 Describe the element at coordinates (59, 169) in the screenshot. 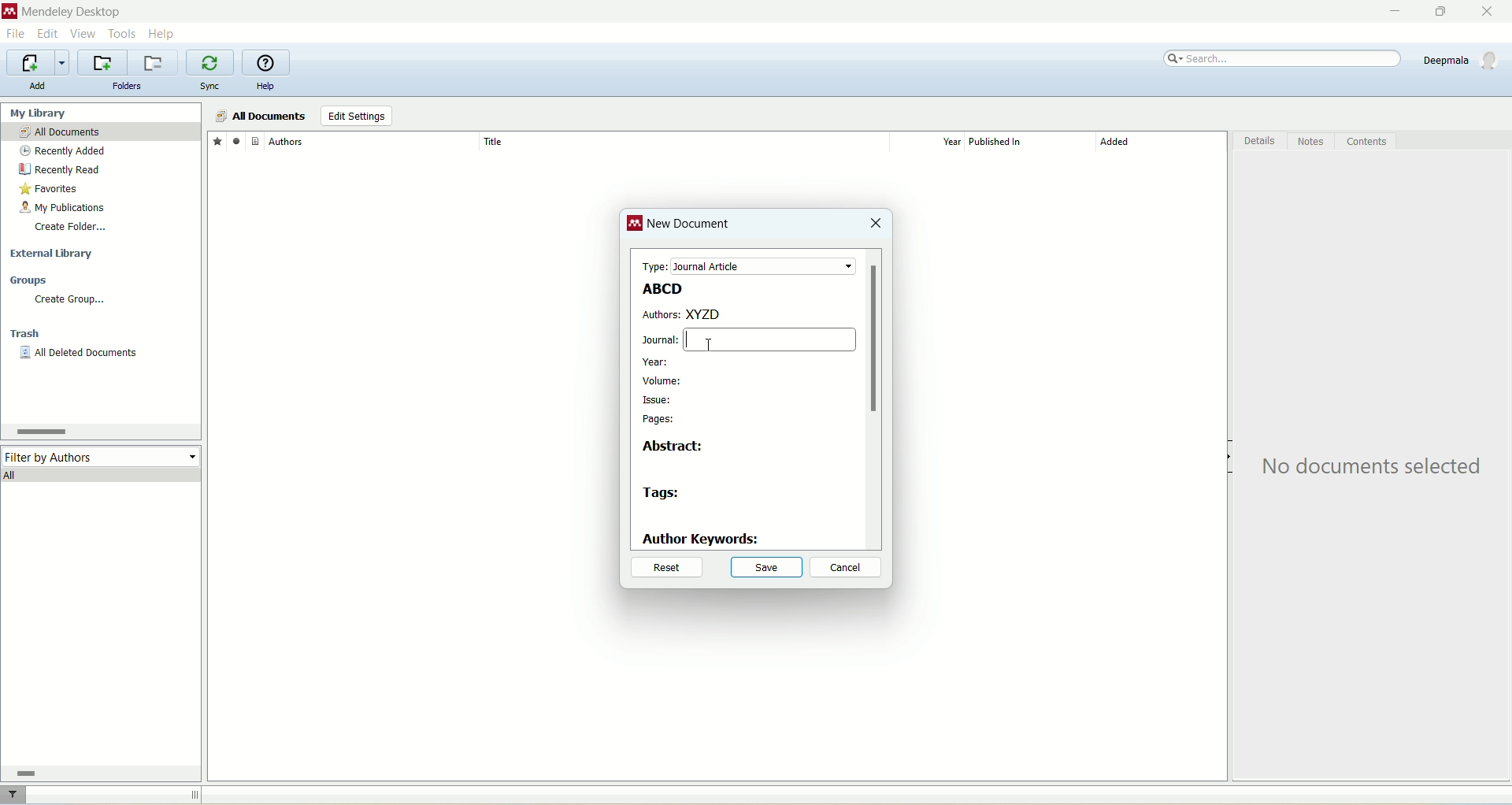

I see `recently read` at that location.